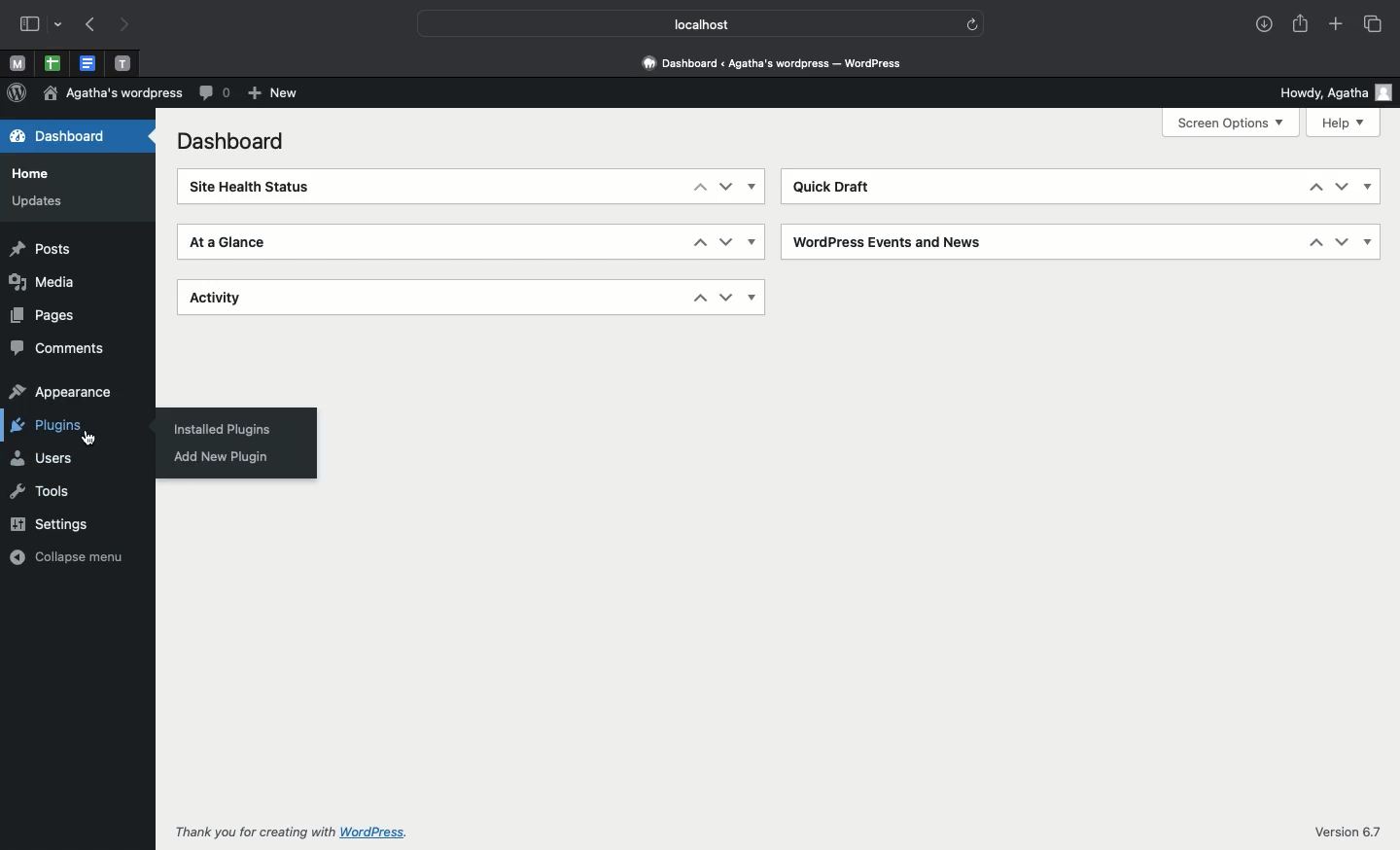 The height and width of the screenshot is (850, 1400). I want to click on Appearance, so click(61, 393).